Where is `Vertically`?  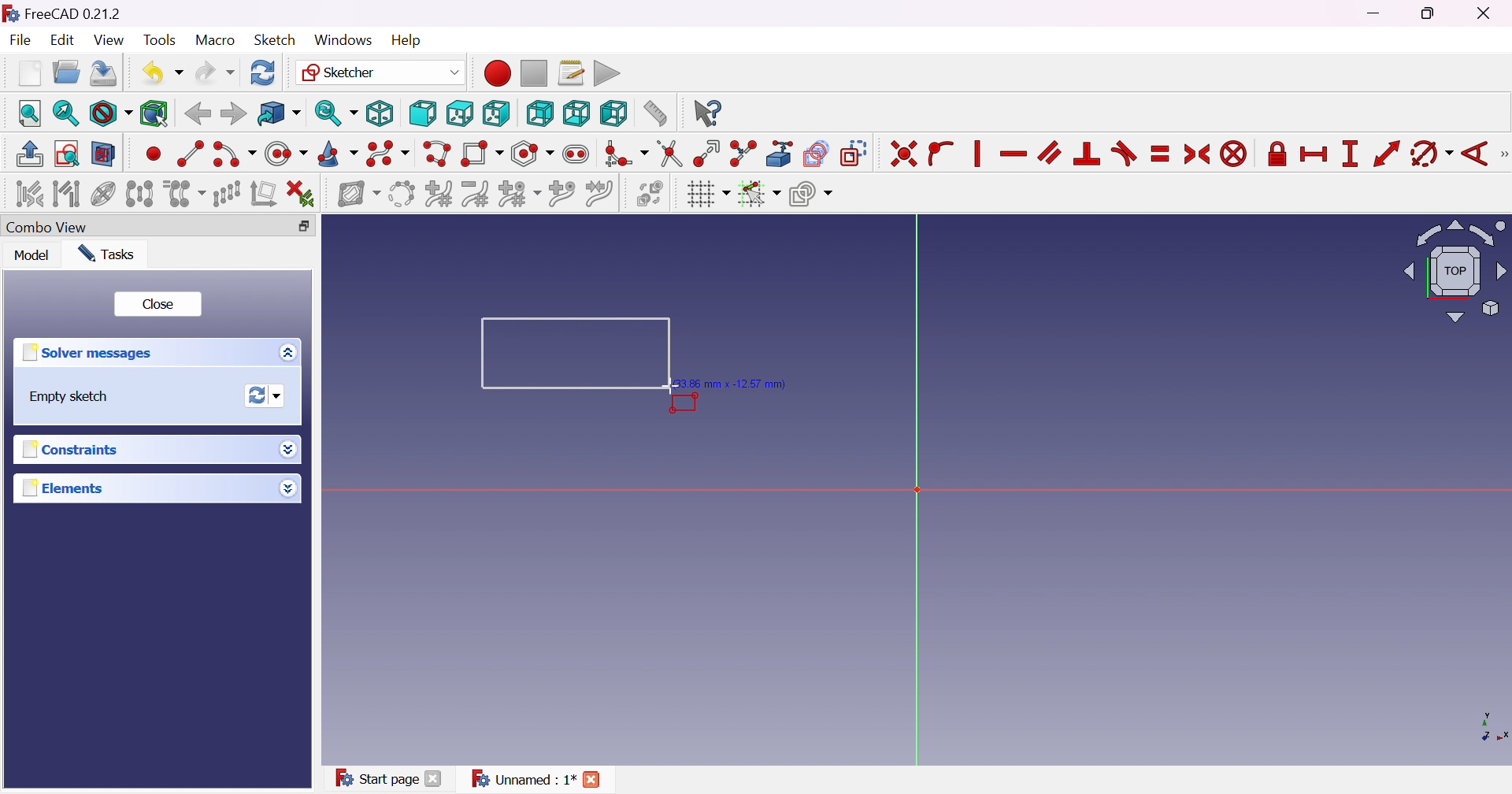 Vertically is located at coordinates (976, 154).